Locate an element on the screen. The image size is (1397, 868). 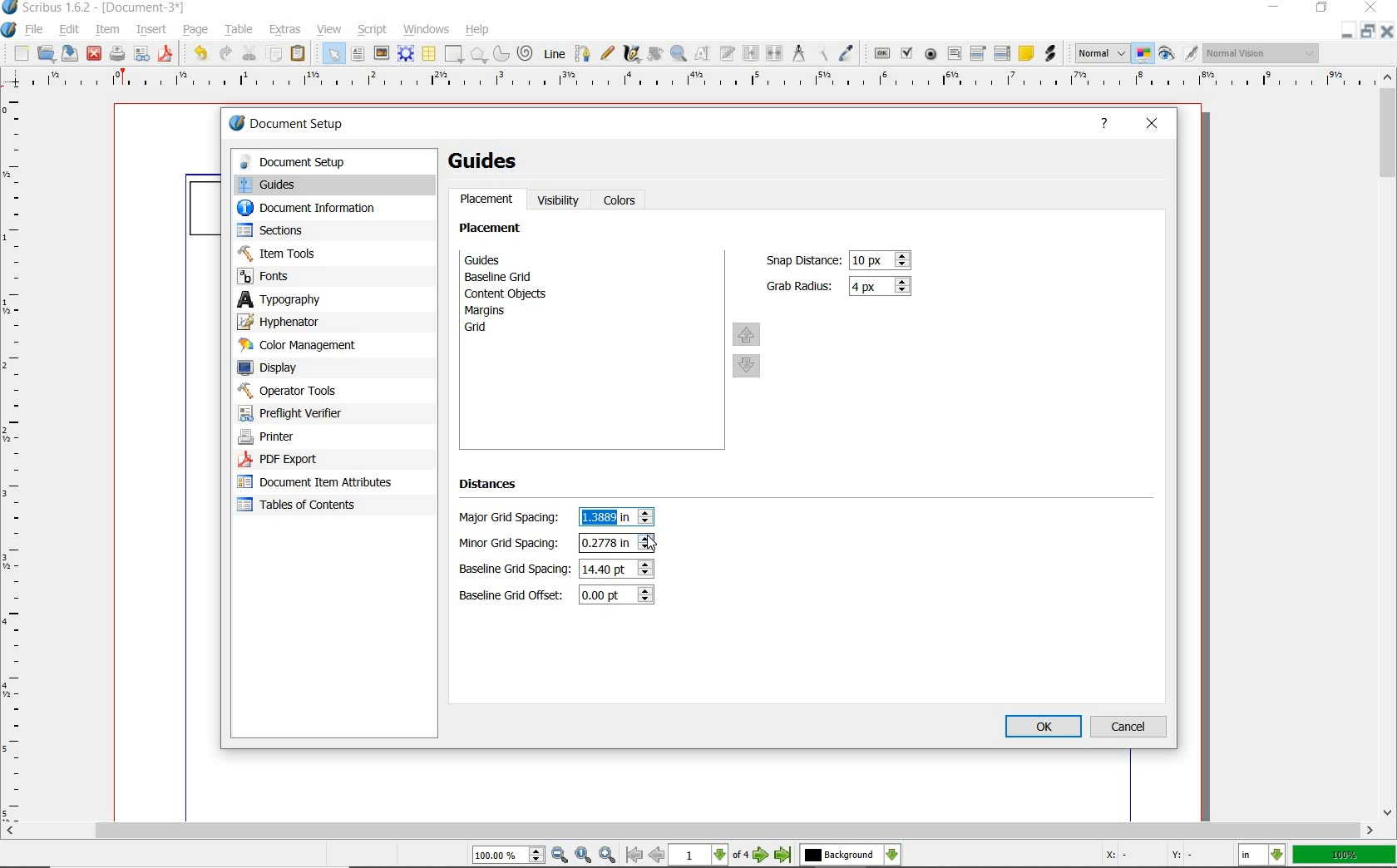
Baseline Grid Offset: is located at coordinates (513, 595).